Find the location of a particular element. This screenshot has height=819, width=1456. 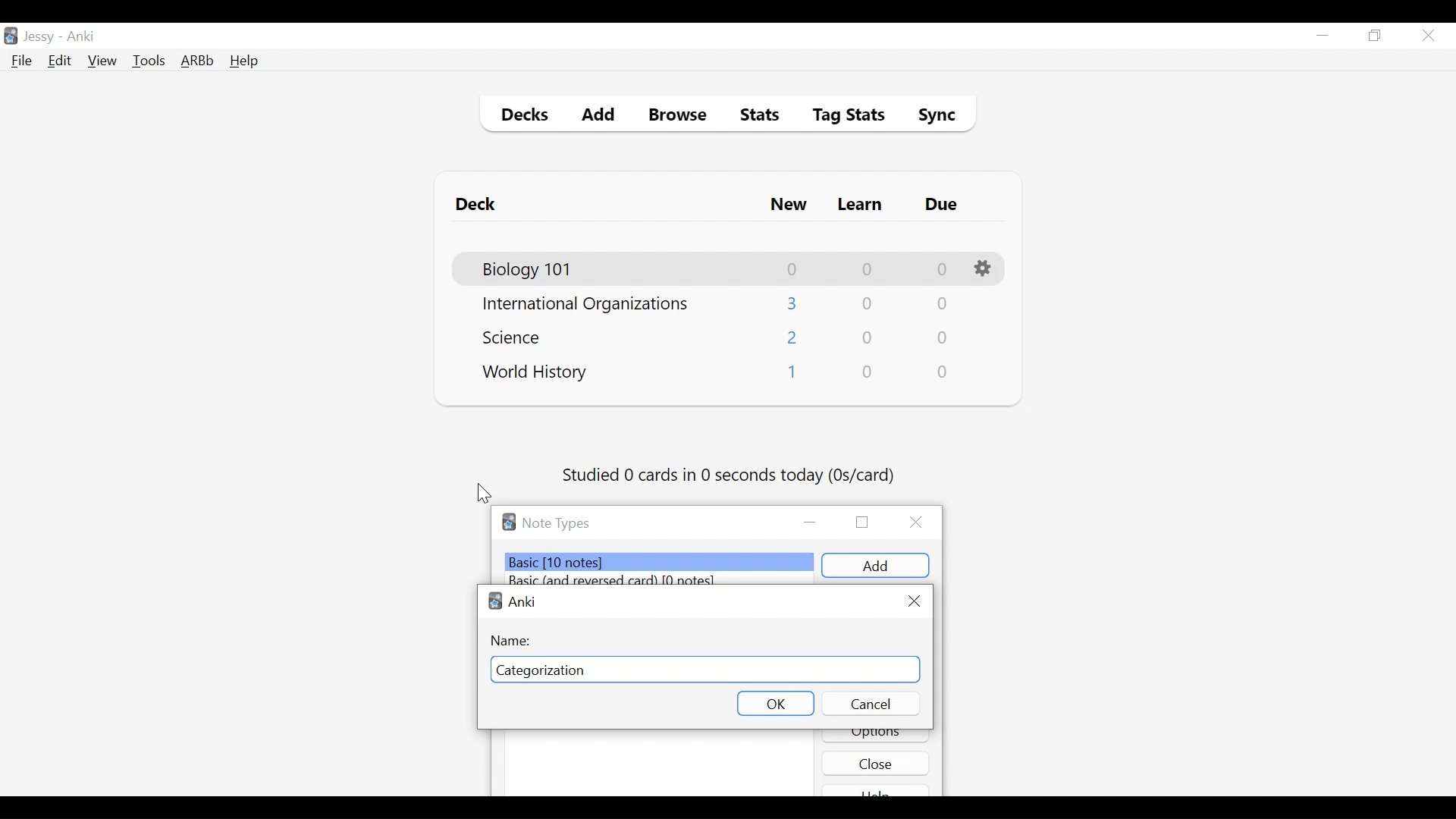

Close is located at coordinates (876, 763).